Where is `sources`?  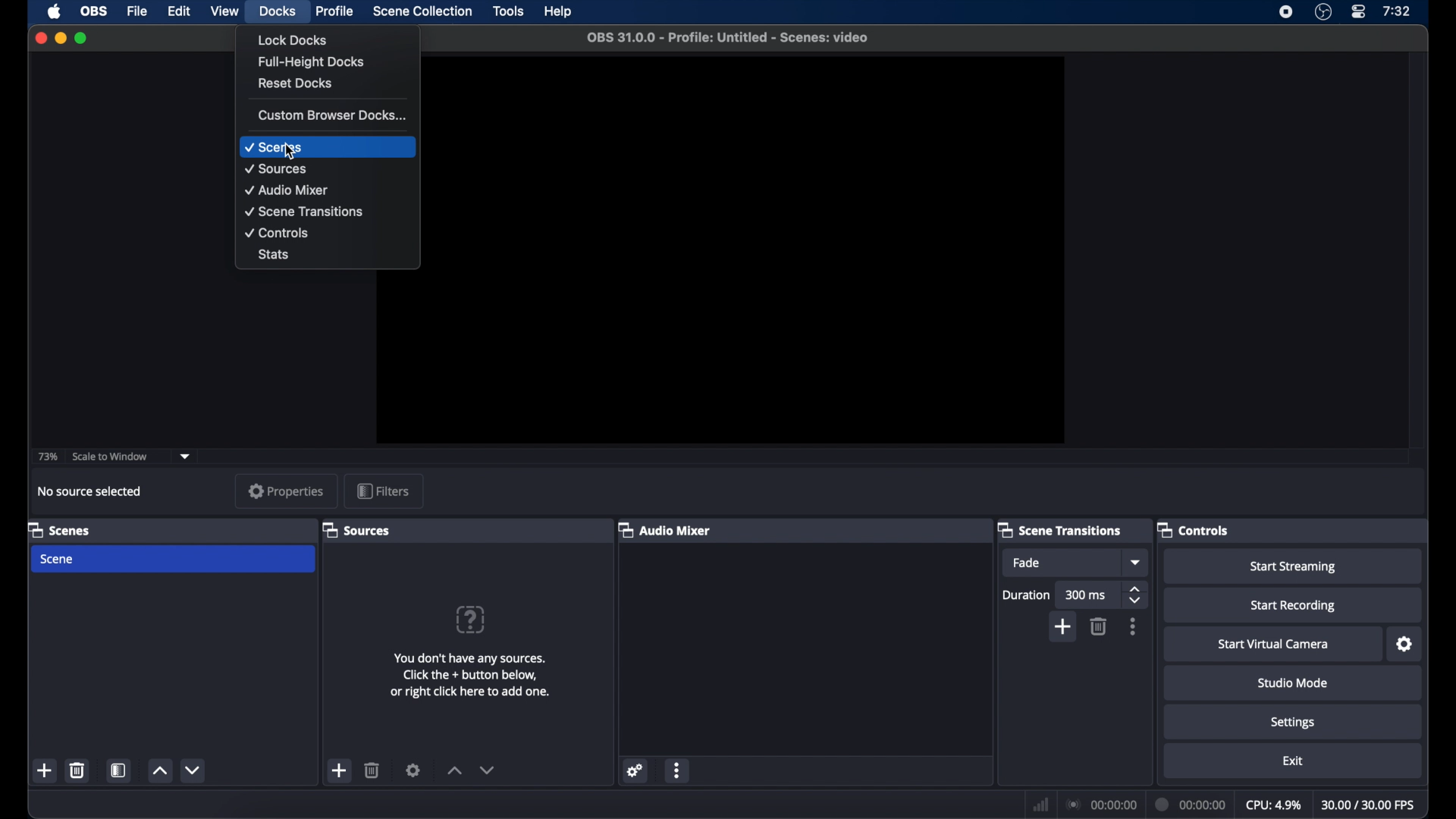 sources is located at coordinates (356, 529).